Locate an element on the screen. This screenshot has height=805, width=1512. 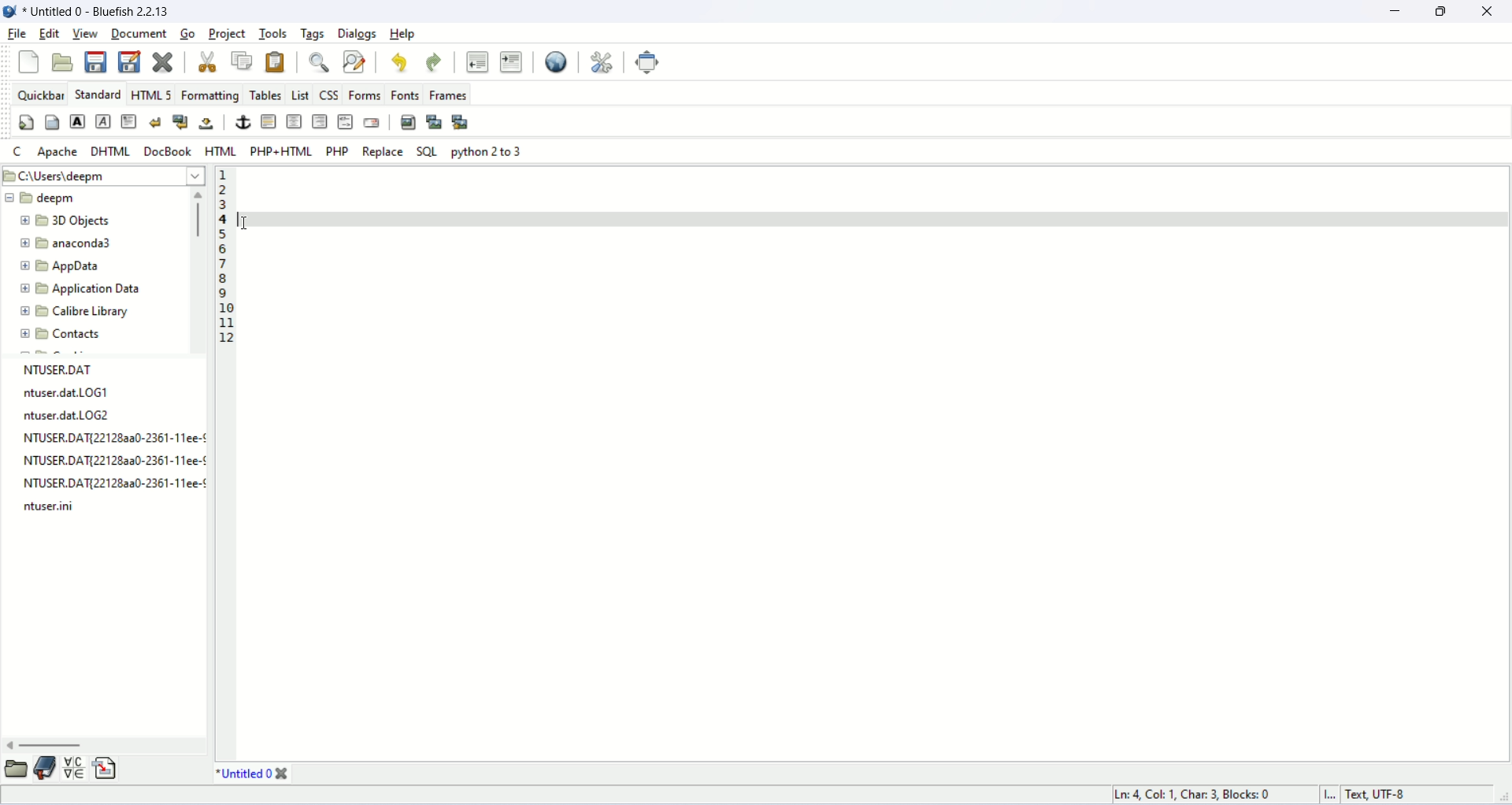
filename is located at coordinates (94, 198).